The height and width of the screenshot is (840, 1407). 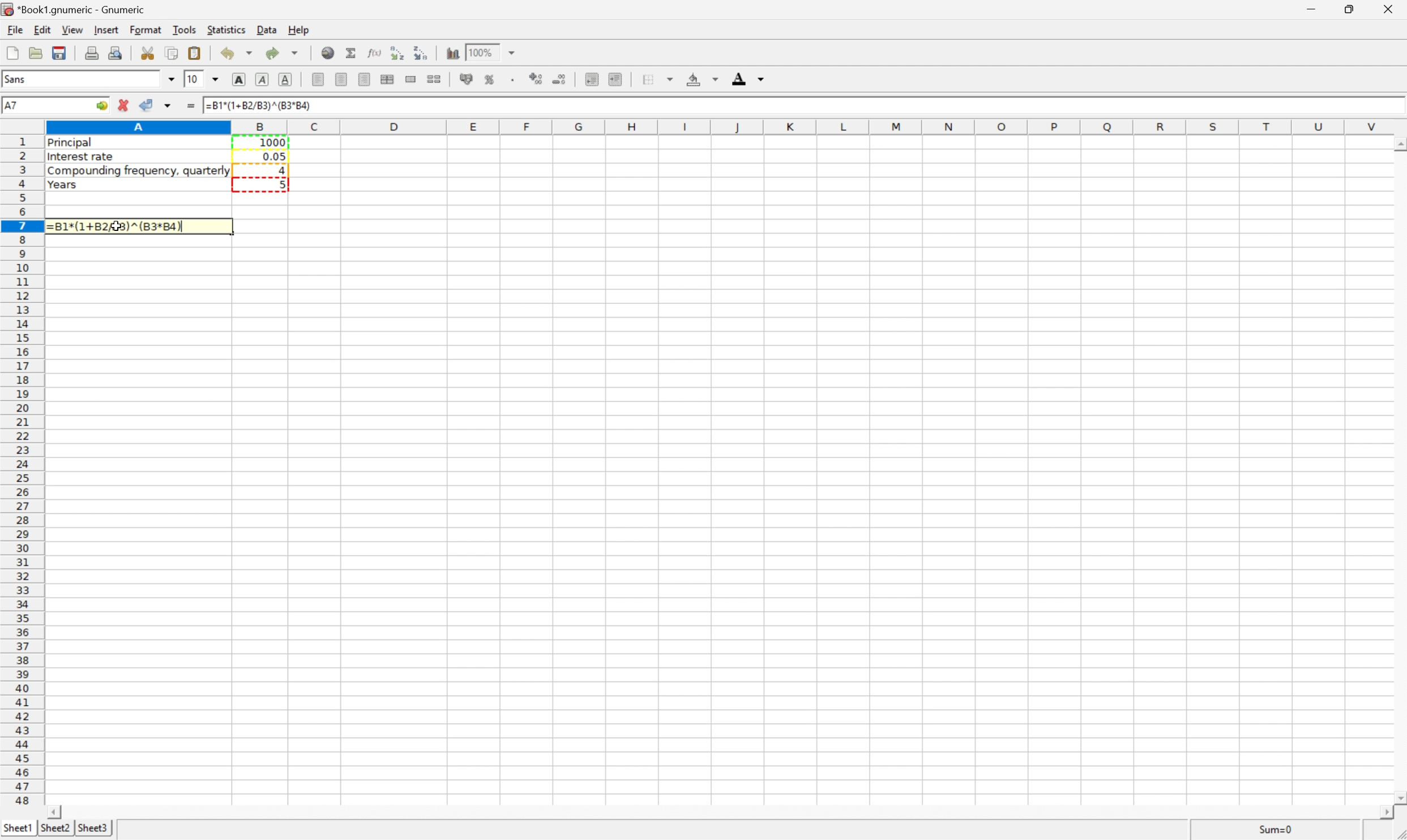 I want to click on format selection as percentage, so click(x=490, y=79).